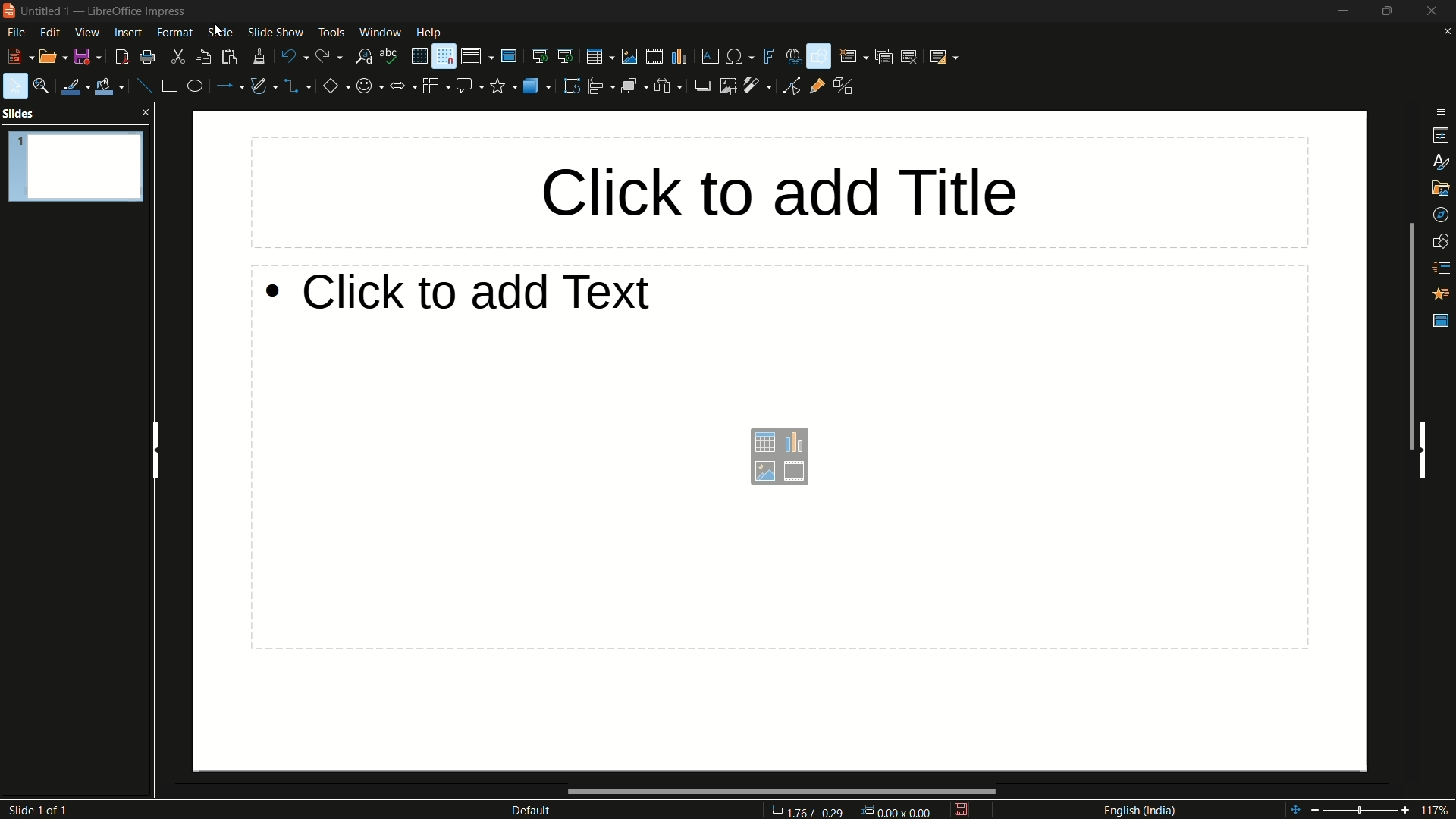 This screenshot has width=1456, height=819. What do you see at coordinates (1442, 112) in the screenshot?
I see `sidebar settings` at bounding box center [1442, 112].